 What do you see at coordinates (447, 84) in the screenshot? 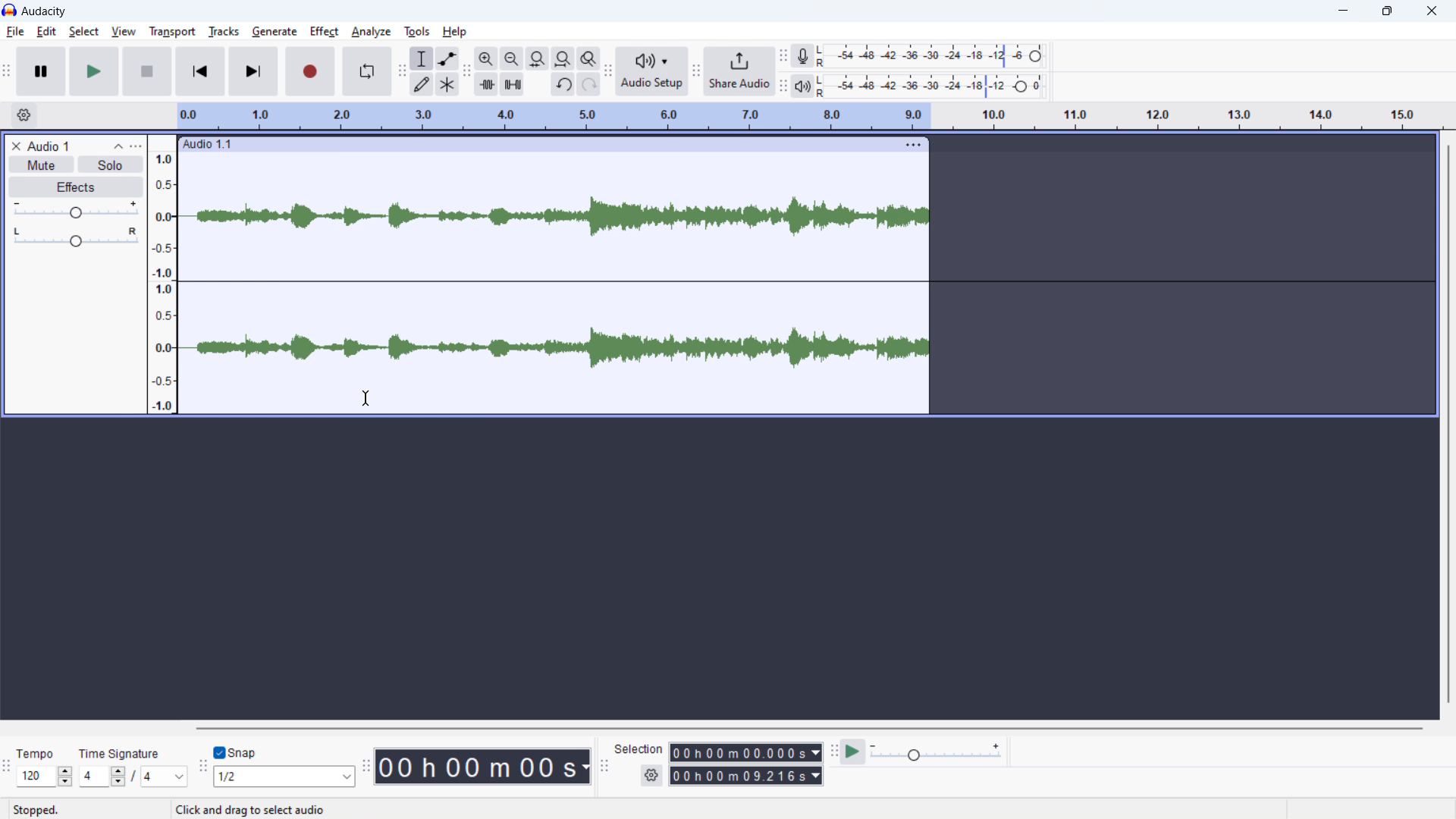
I see `multi tool` at bounding box center [447, 84].